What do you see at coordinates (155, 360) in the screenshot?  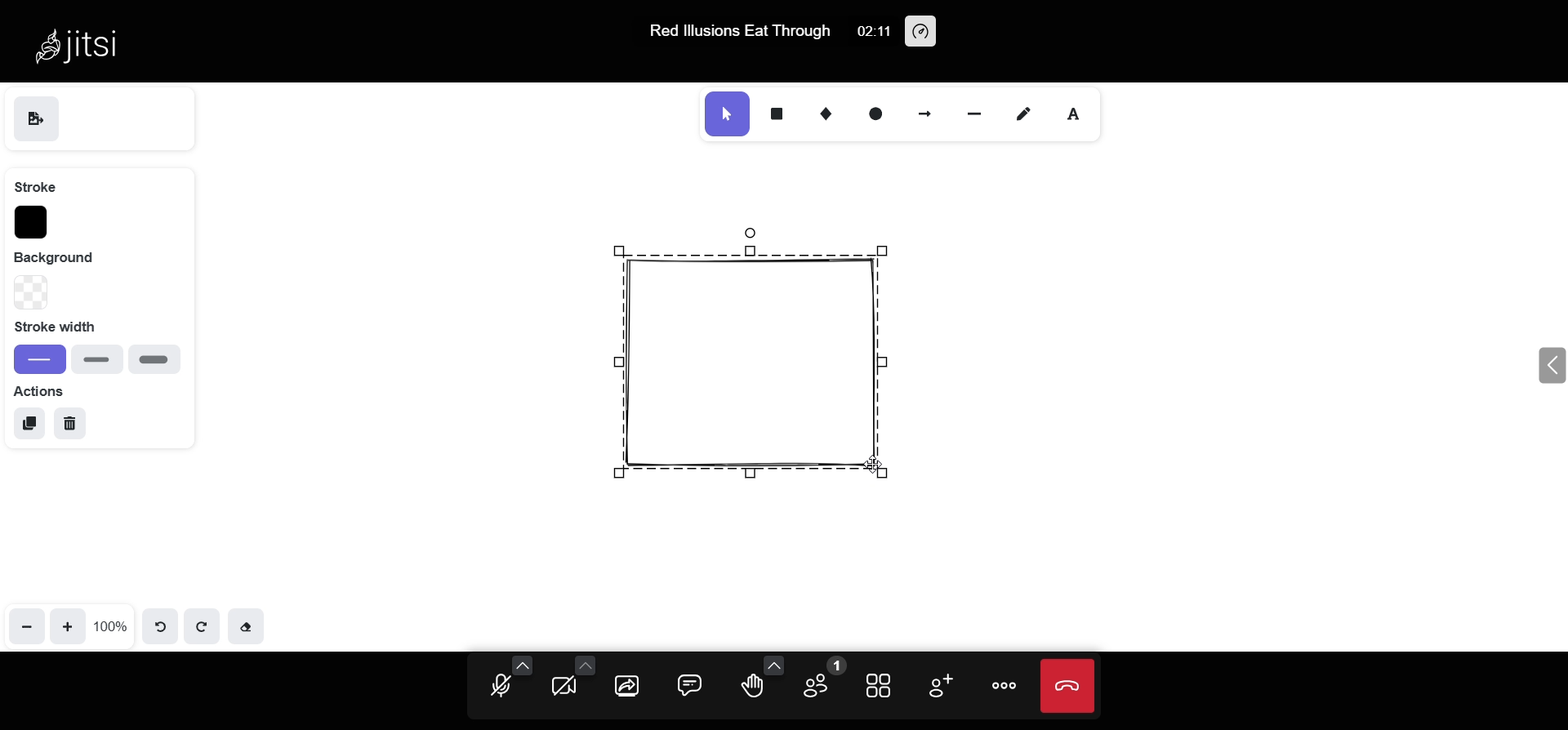 I see `extra bold` at bounding box center [155, 360].